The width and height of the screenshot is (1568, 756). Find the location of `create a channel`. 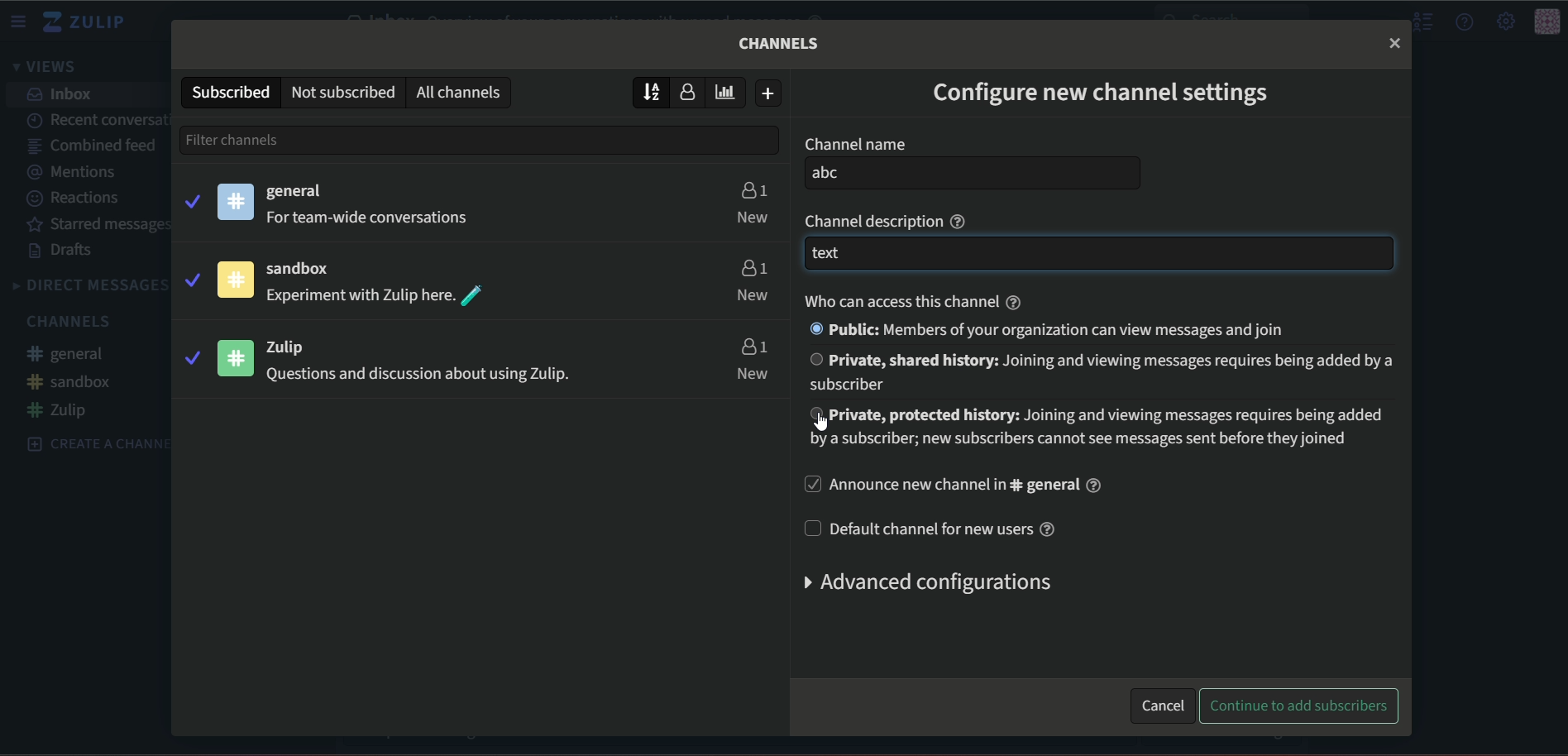

create a channel is located at coordinates (89, 443).